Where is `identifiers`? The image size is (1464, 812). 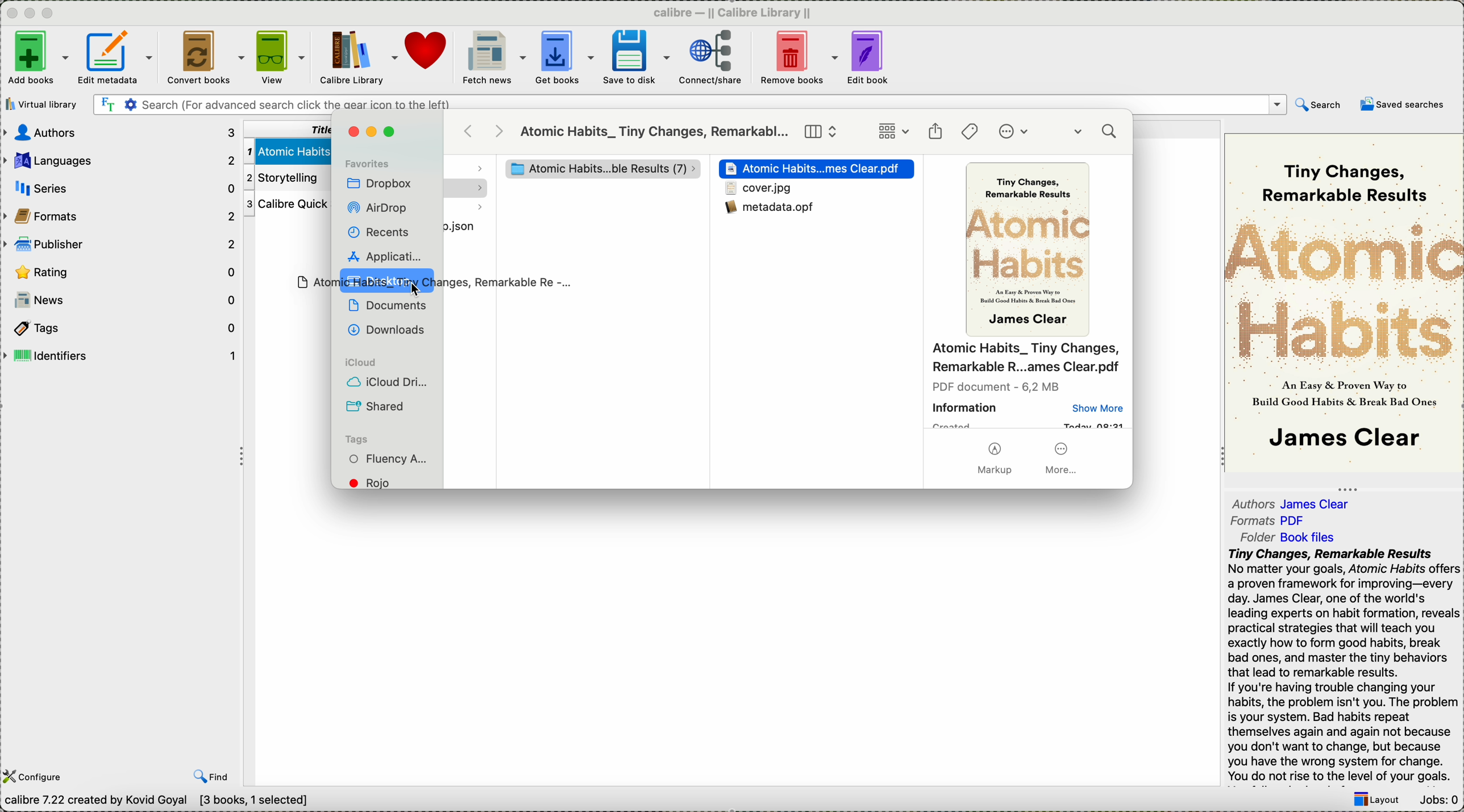 identifiers is located at coordinates (120, 356).